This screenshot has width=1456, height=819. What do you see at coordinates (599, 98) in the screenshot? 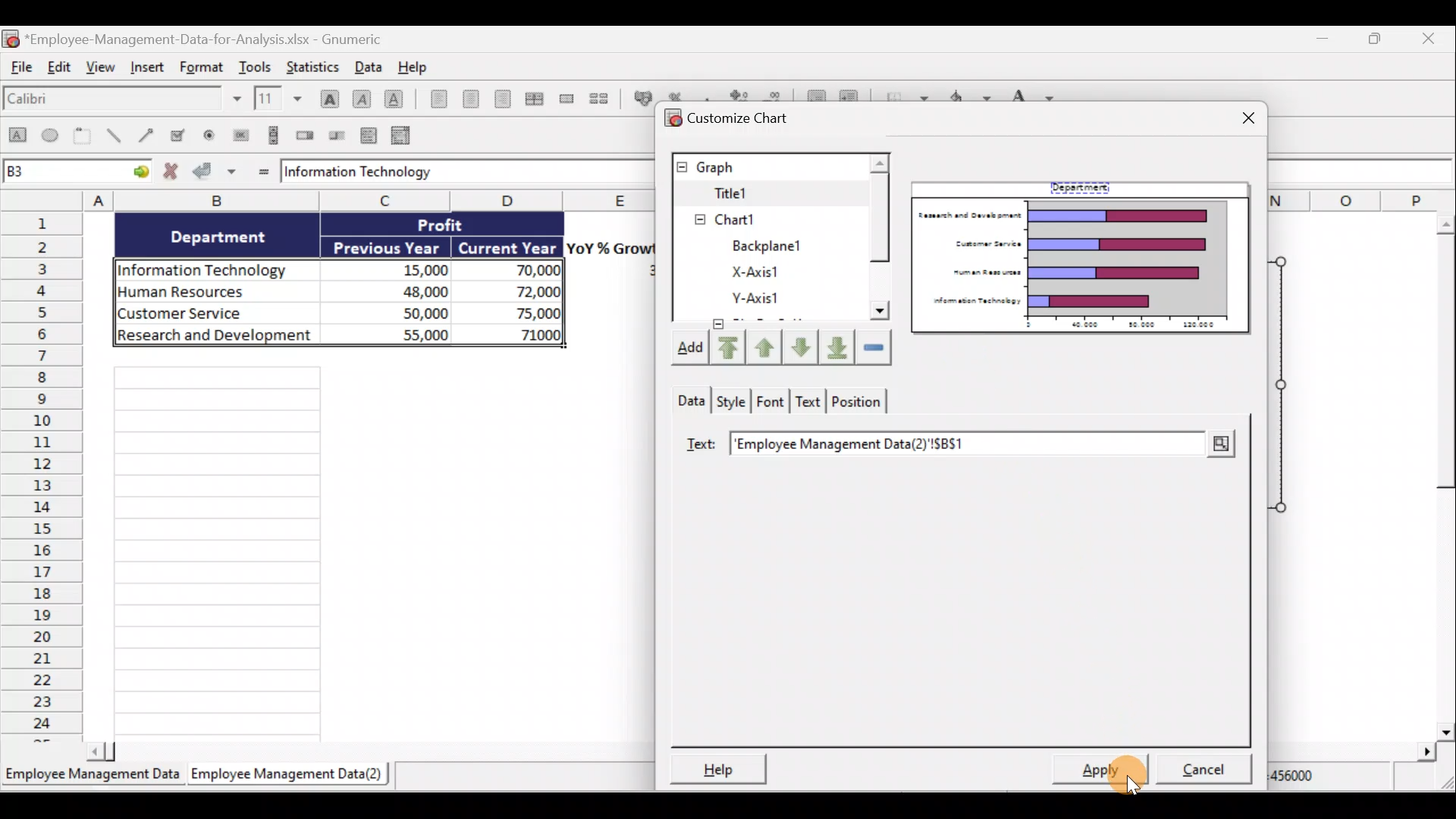
I see `Split merged range of cells` at bounding box center [599, 98].